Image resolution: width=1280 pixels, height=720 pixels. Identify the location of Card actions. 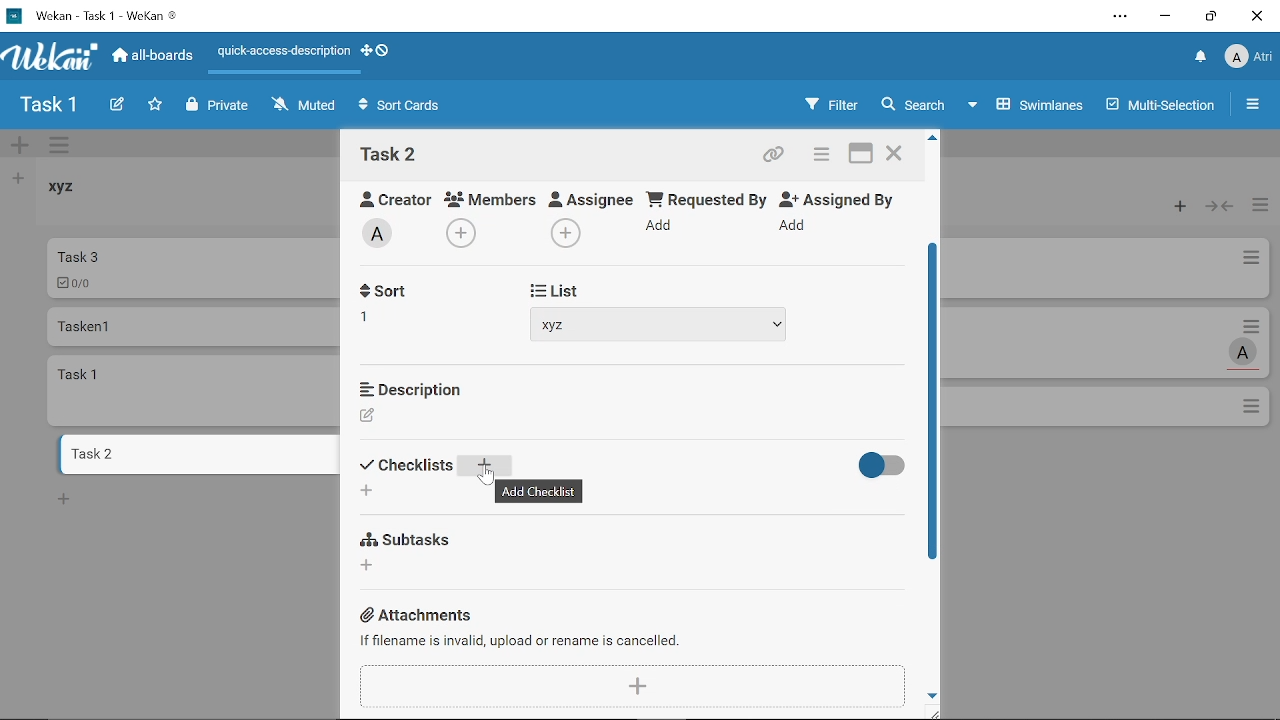
(1250, 261).